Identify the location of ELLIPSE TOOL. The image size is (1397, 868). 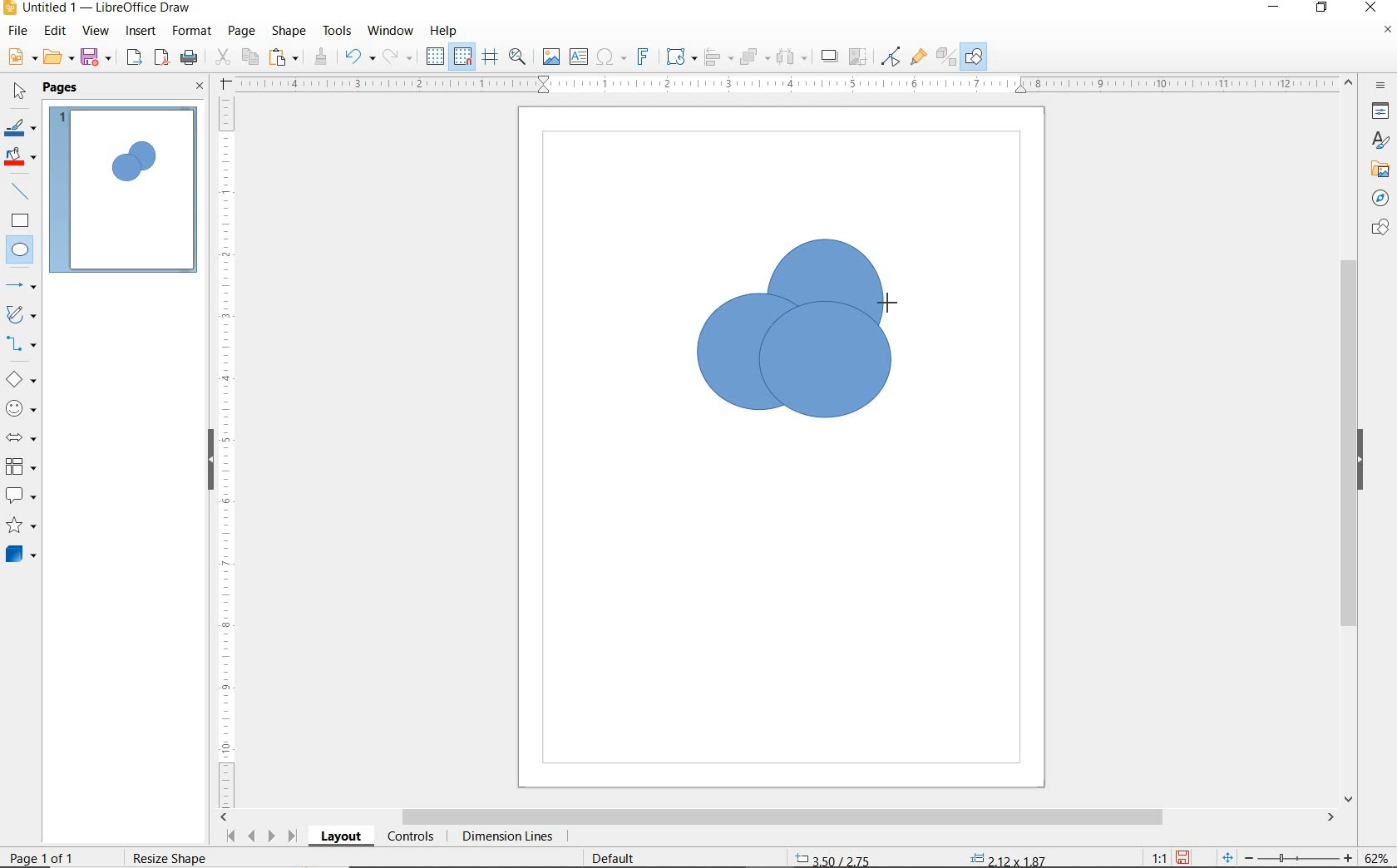
(763, 420).